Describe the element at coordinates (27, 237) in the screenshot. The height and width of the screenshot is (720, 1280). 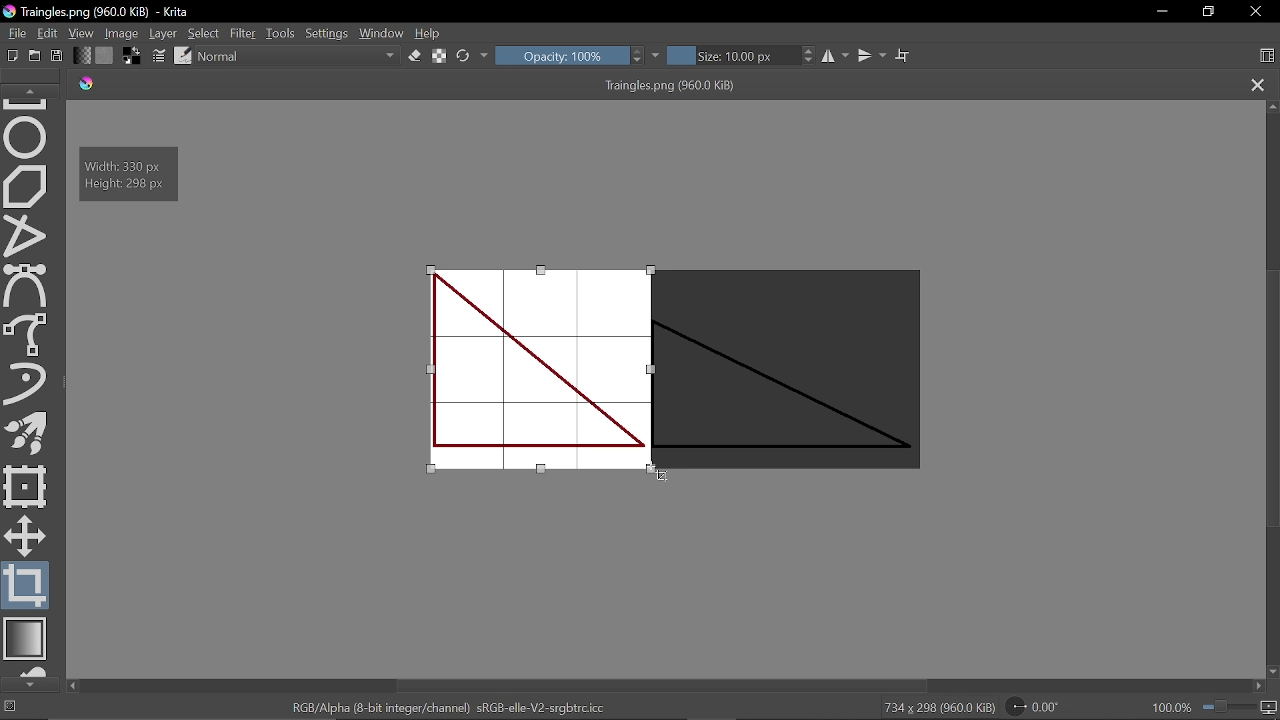
I see `Polyline tool` at that location.